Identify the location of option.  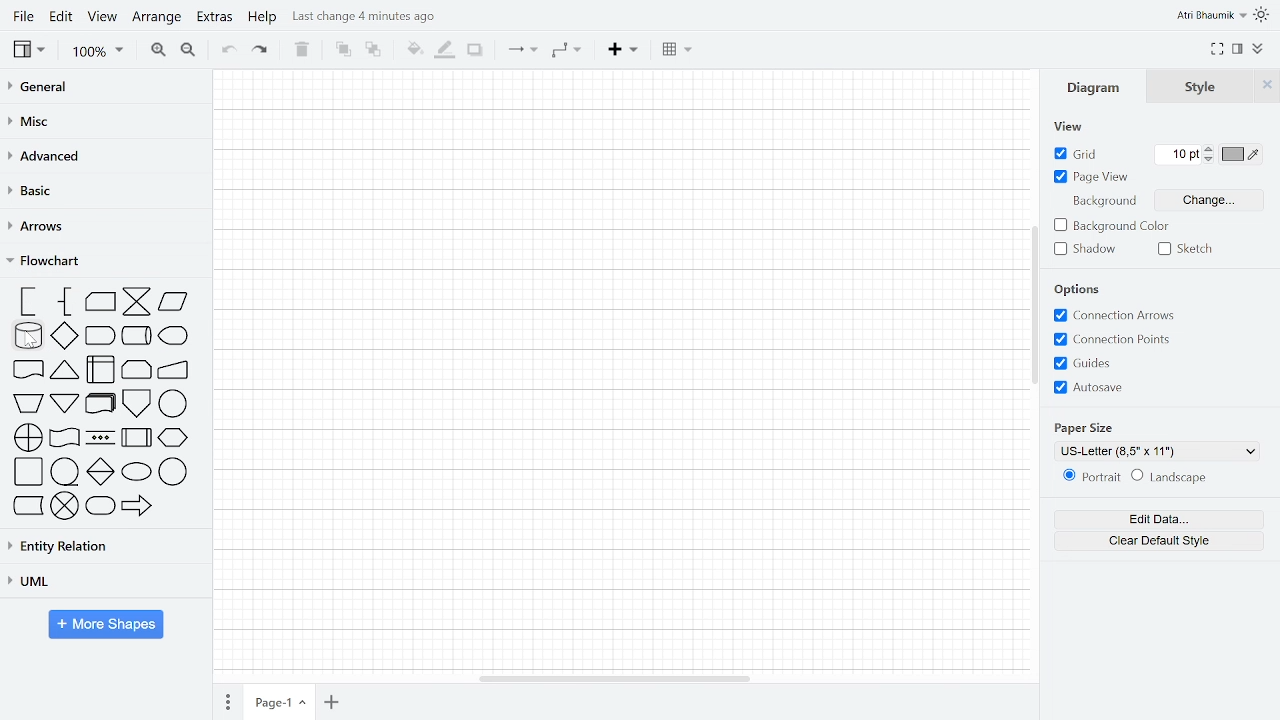
(1077, 291).